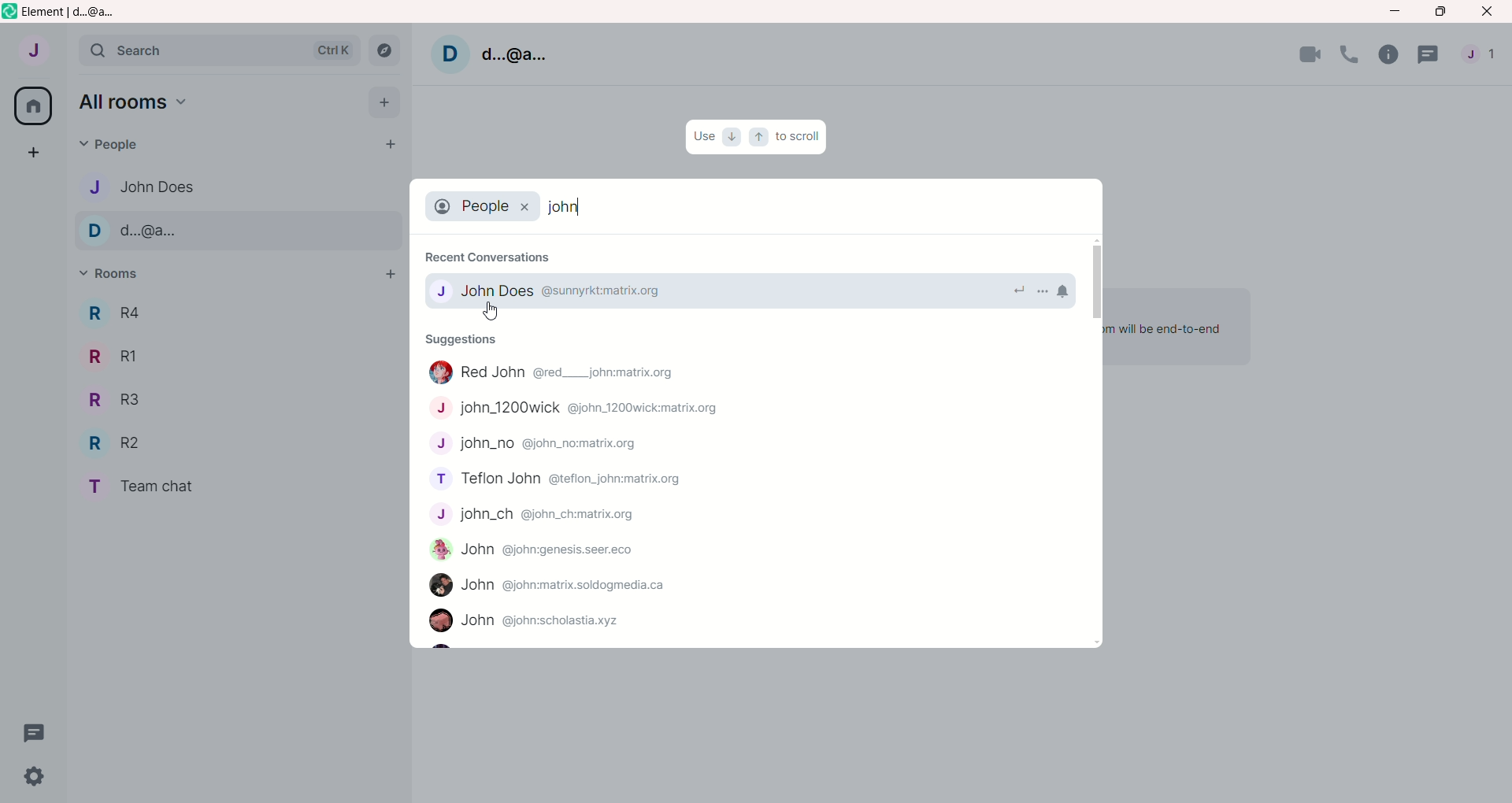 This screenshot has height=803, width=1512. I want to click on R2, so click(120, 445).